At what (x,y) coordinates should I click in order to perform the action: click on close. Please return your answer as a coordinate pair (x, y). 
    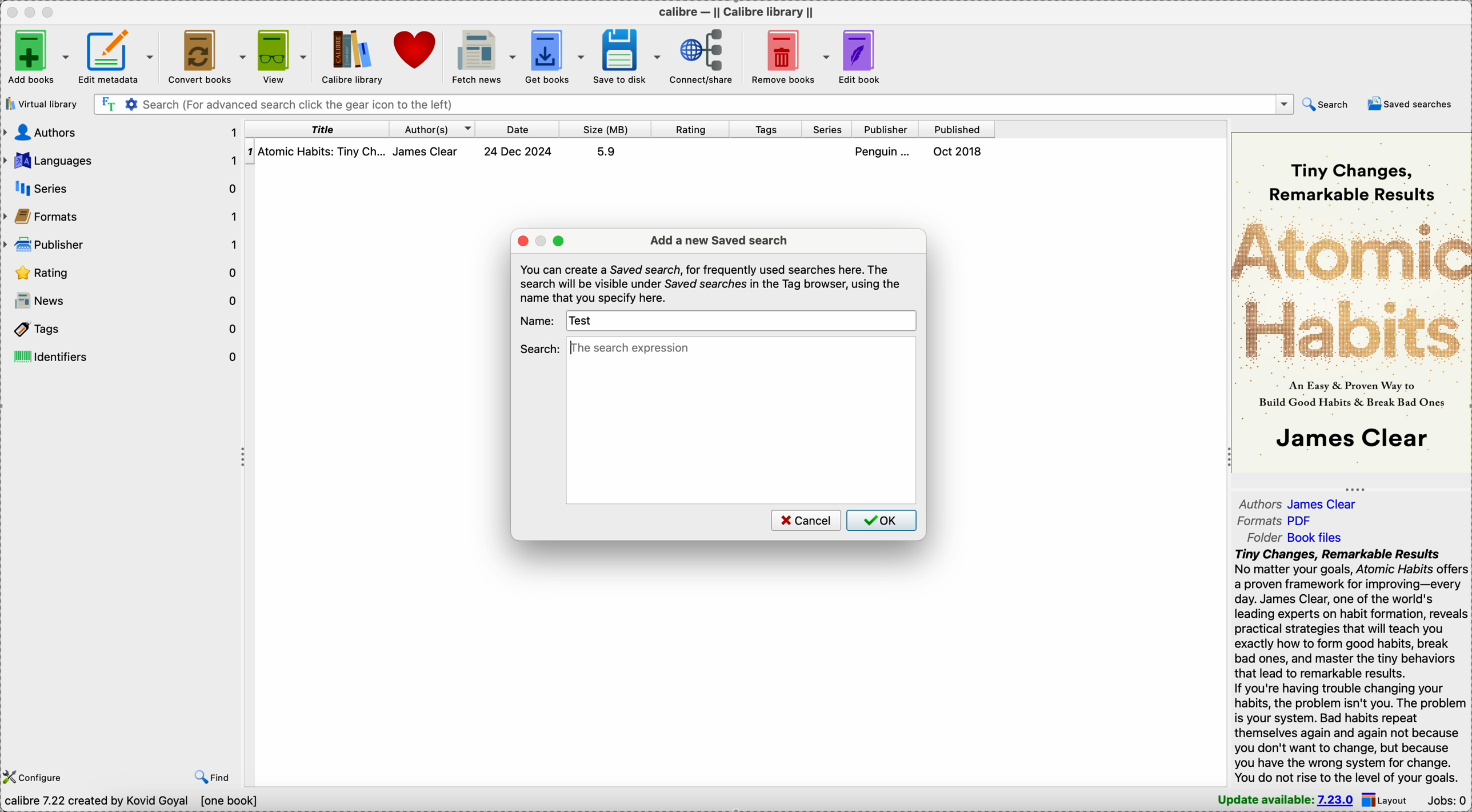
    Looking at the image, I should click on (11, 11).